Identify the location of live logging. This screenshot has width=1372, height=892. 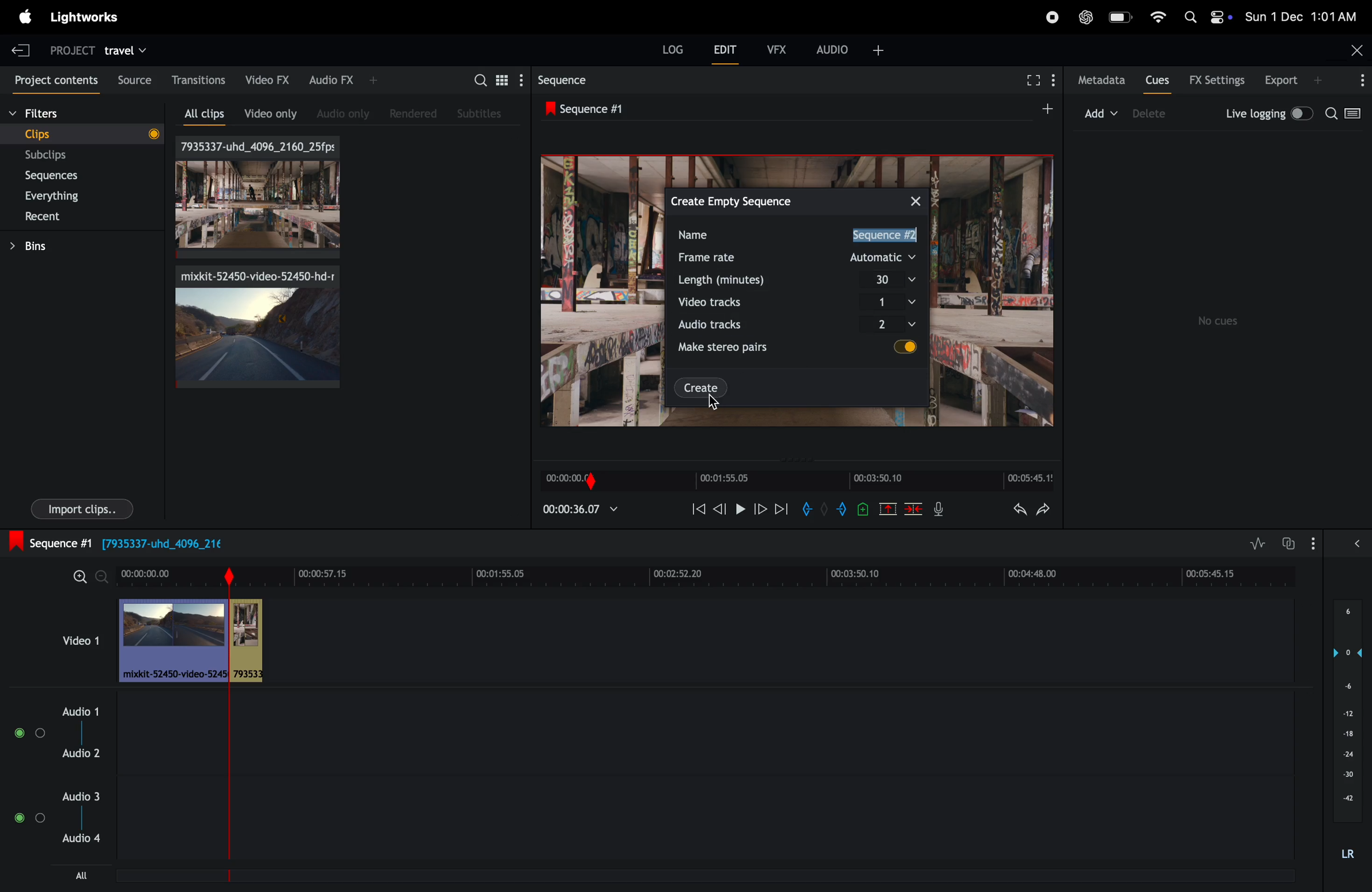
(1269, 114).